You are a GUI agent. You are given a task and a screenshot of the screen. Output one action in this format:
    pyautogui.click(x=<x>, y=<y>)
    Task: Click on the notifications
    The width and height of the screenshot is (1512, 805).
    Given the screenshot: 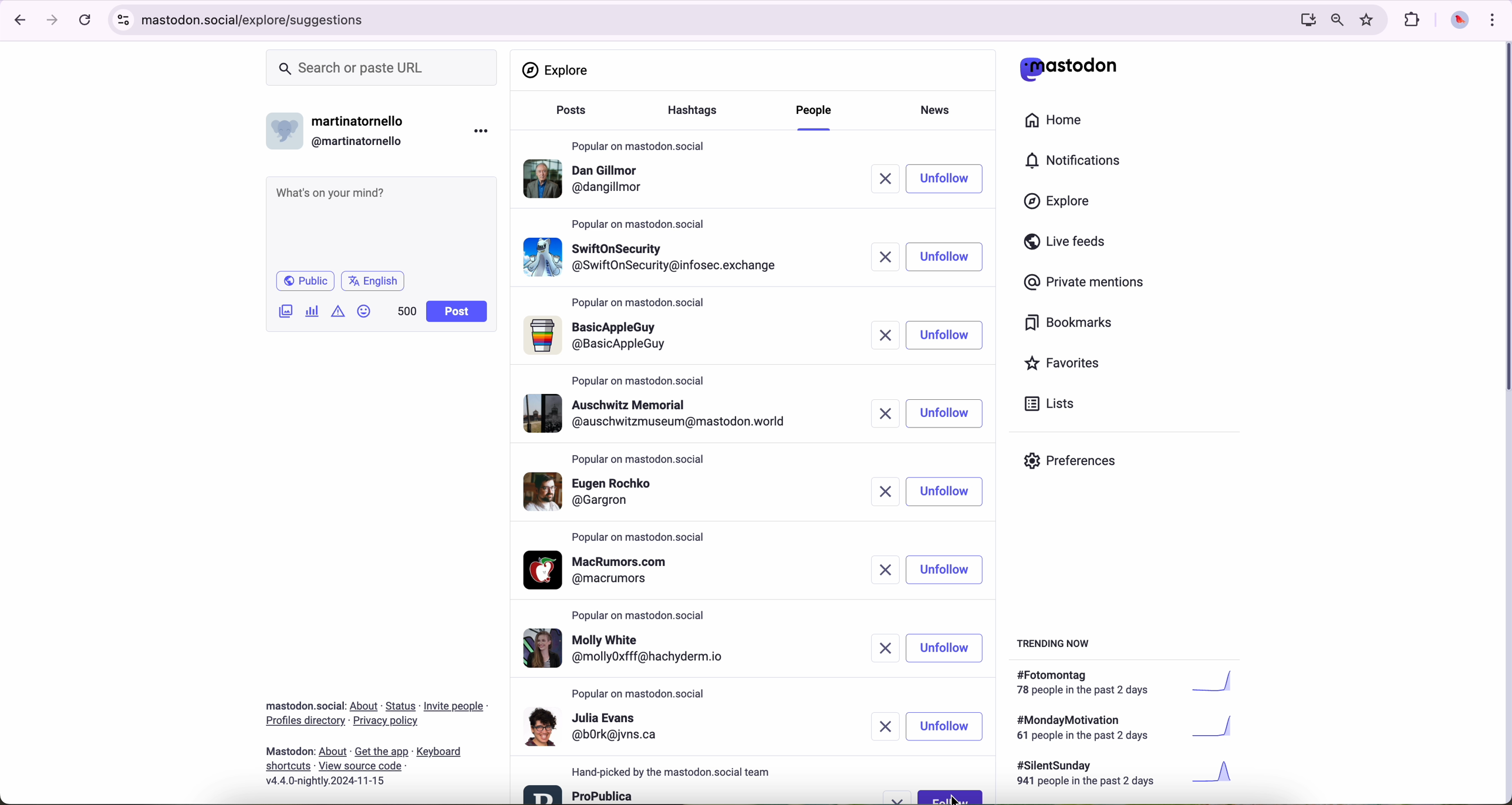 What is the action you would take?
    pyautogui.click(x=1078, y=161)
    